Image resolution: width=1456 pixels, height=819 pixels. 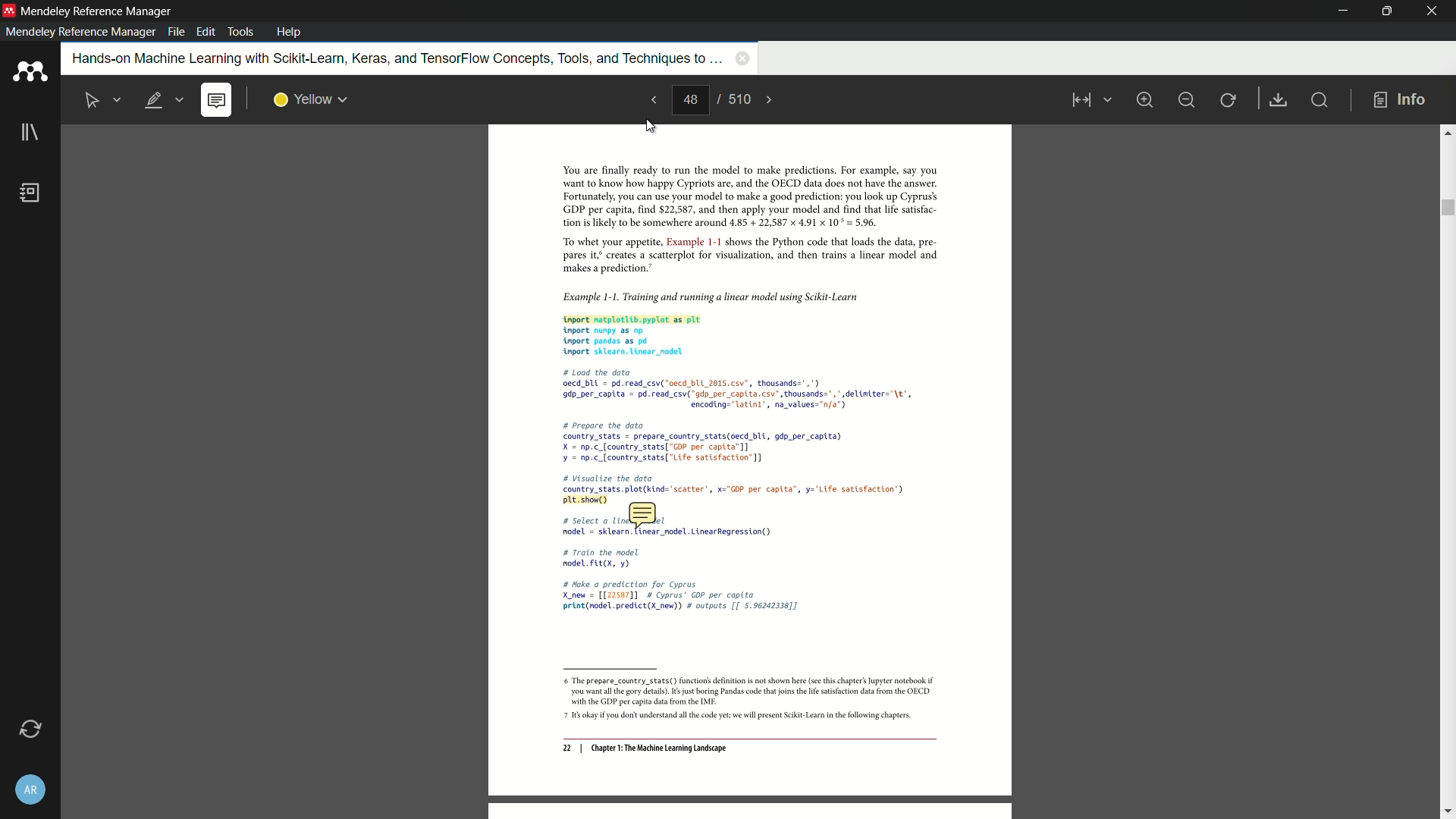 What do you see at coordinates (93, 101) in the screenshot?
I see `select` at bounding box center [93, 101].